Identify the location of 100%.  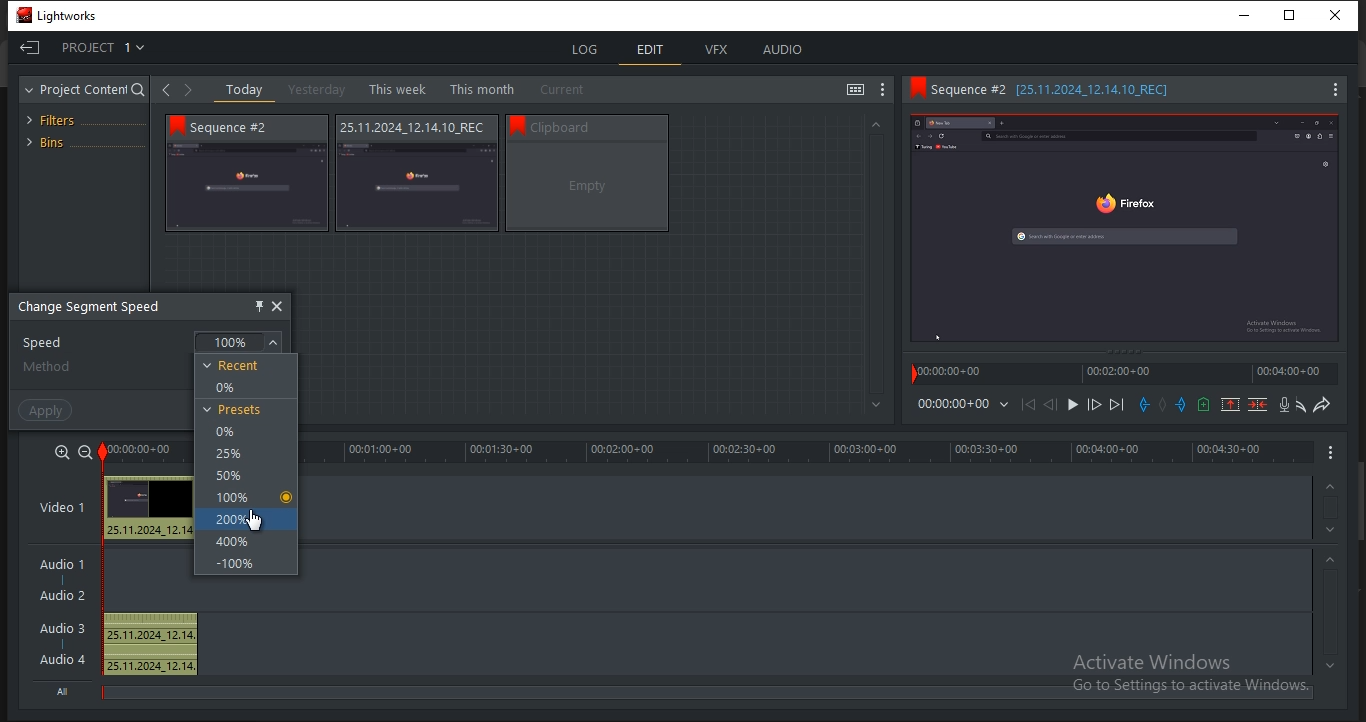
(230, 342).